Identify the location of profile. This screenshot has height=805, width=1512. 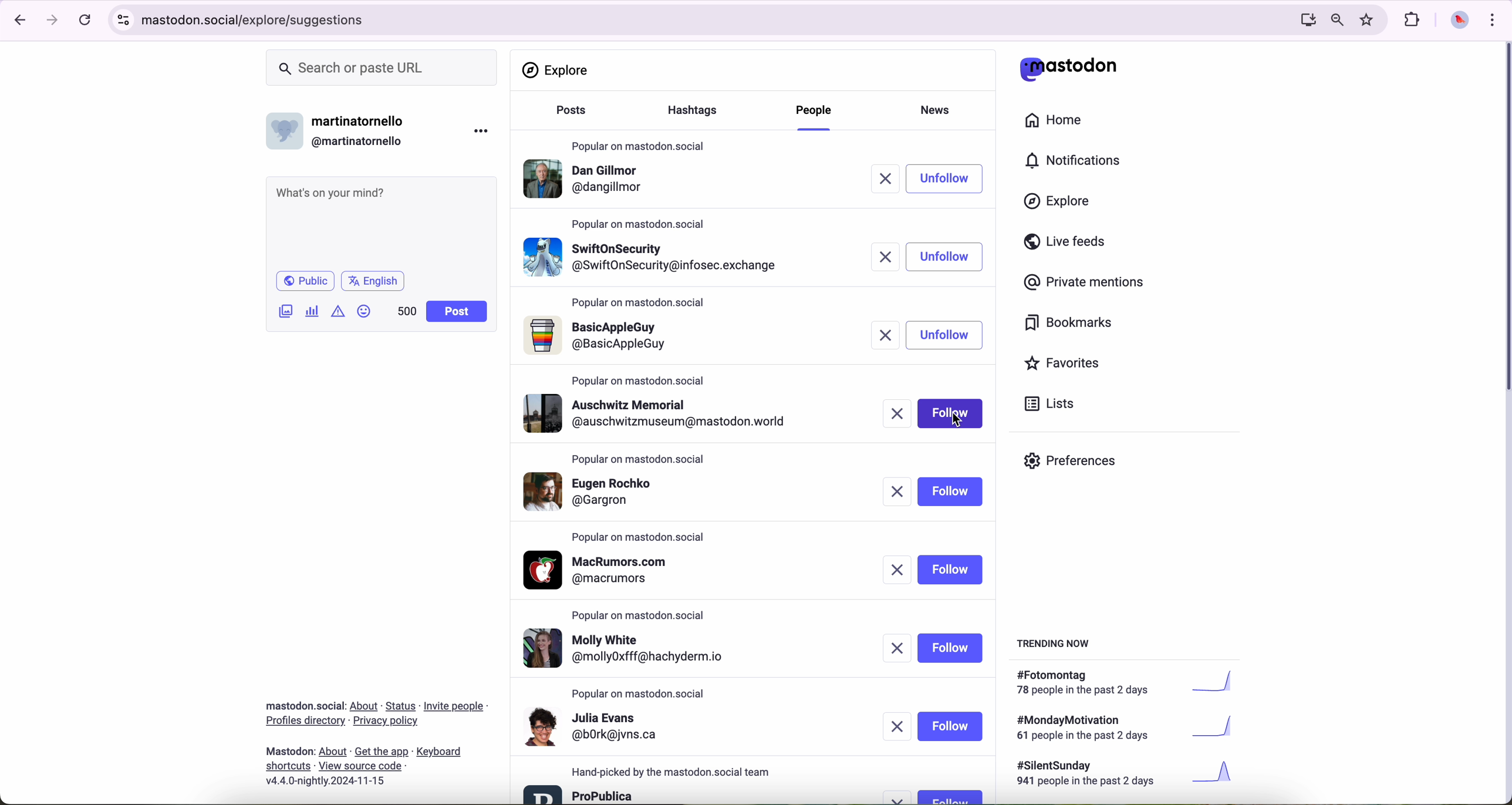
(654, 254).